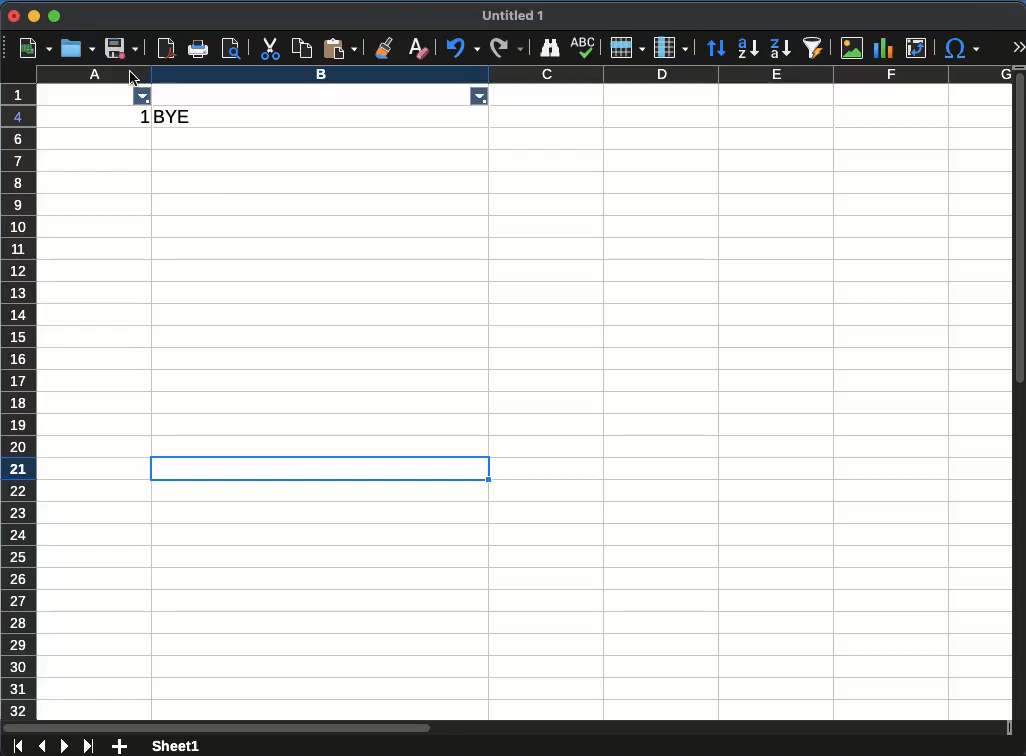 The height and width of the screenshot is (756, 1026). I want to click on filter, so click(476, 95).